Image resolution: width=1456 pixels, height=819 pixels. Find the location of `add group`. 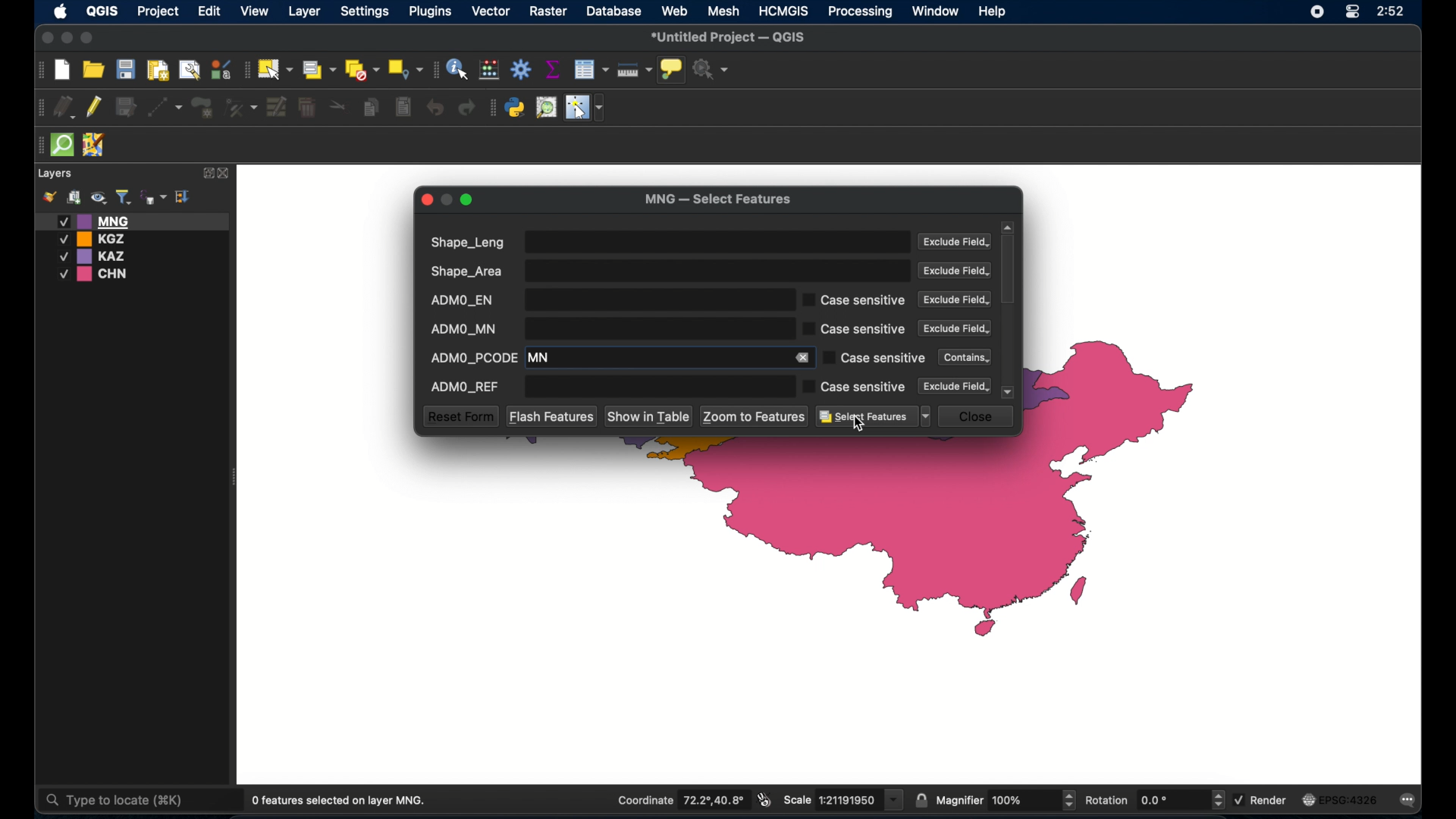

add group is located at coordinates (74, 198).